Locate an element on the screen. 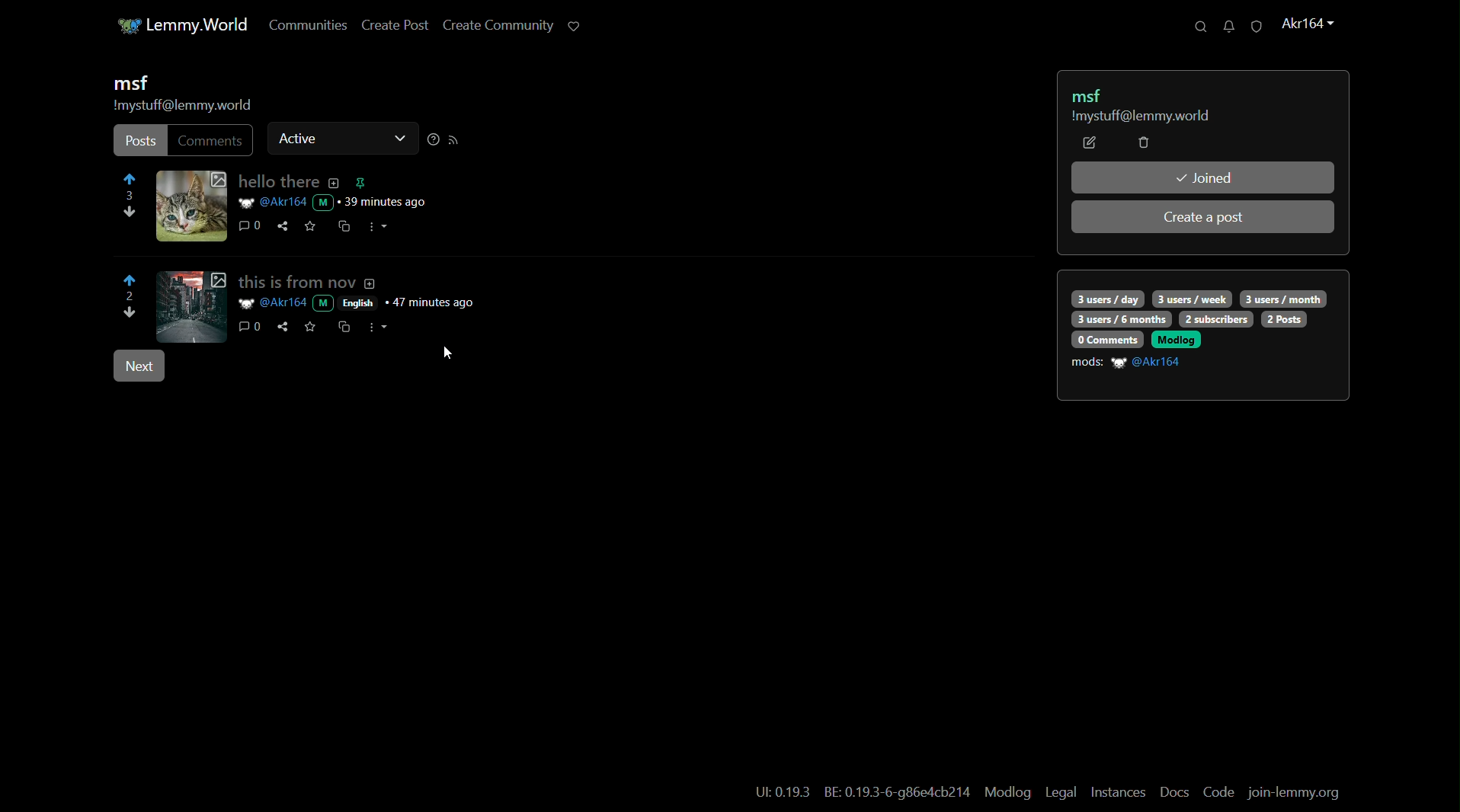 The width and height of the screenshot is (1460, 812). server name is located at coordinates (1139, 117).